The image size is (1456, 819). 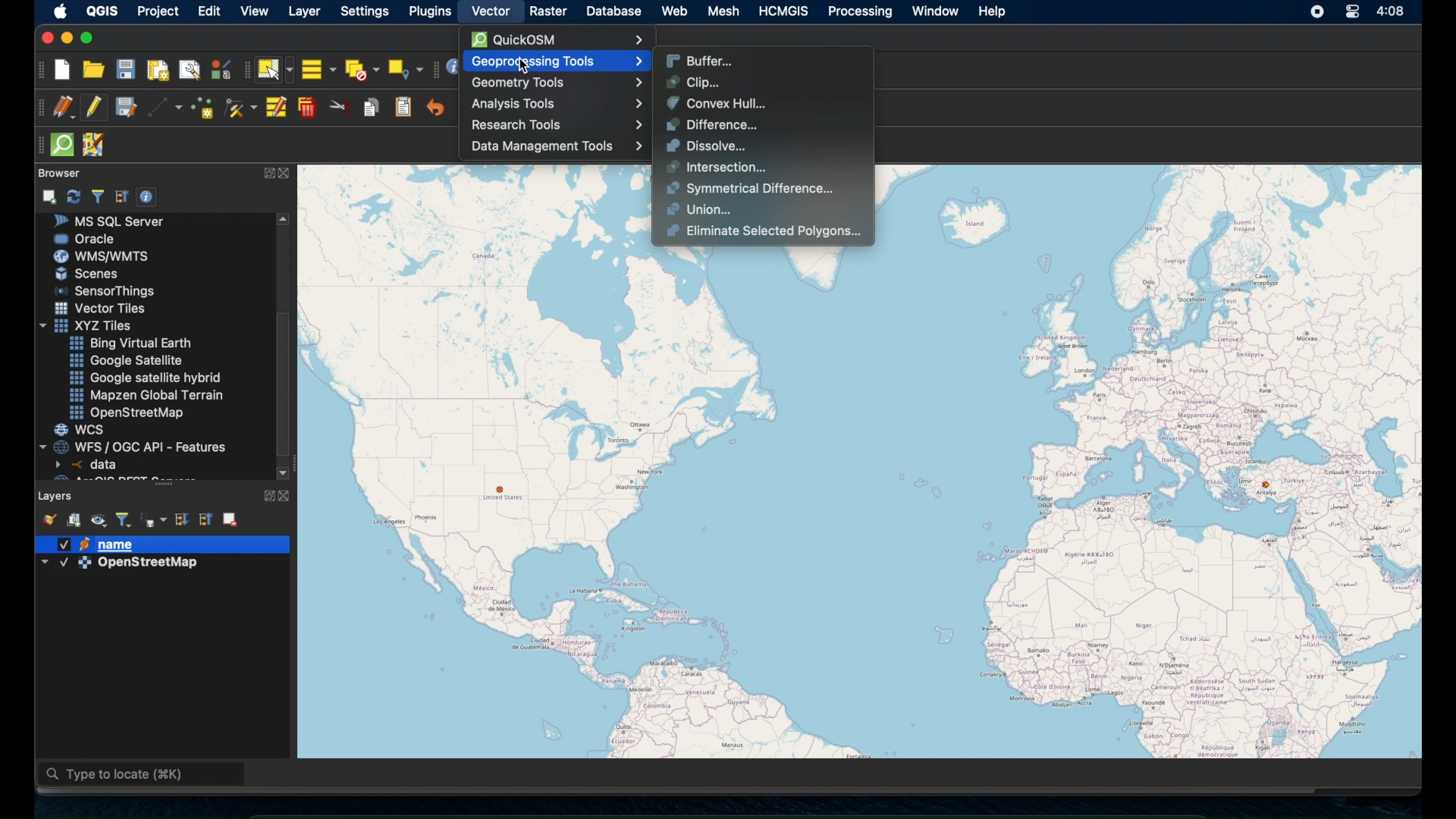 I want to click on save edits, so click(x=127, y=108).